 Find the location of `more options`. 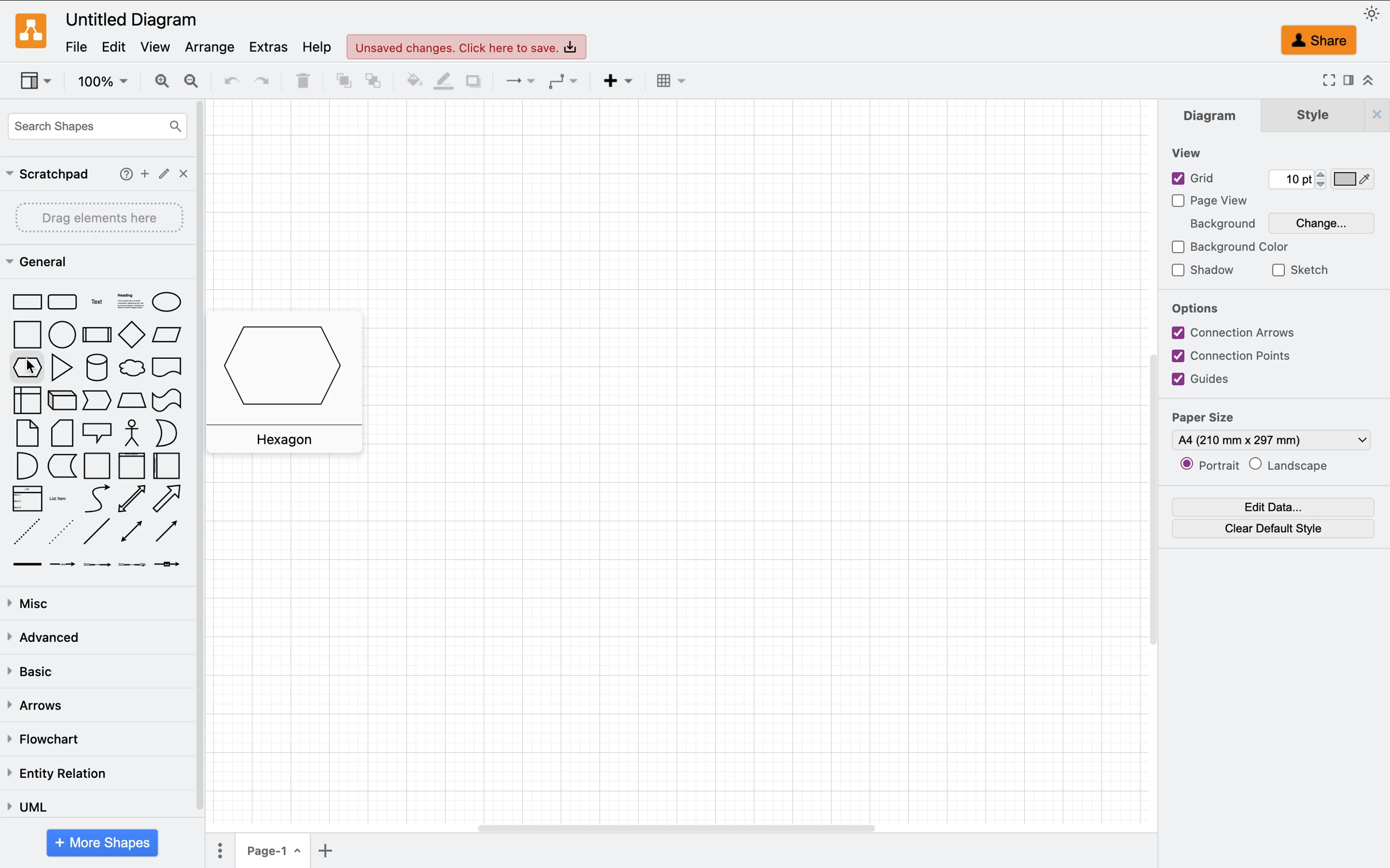

more options is located at coordinates (216, 850).